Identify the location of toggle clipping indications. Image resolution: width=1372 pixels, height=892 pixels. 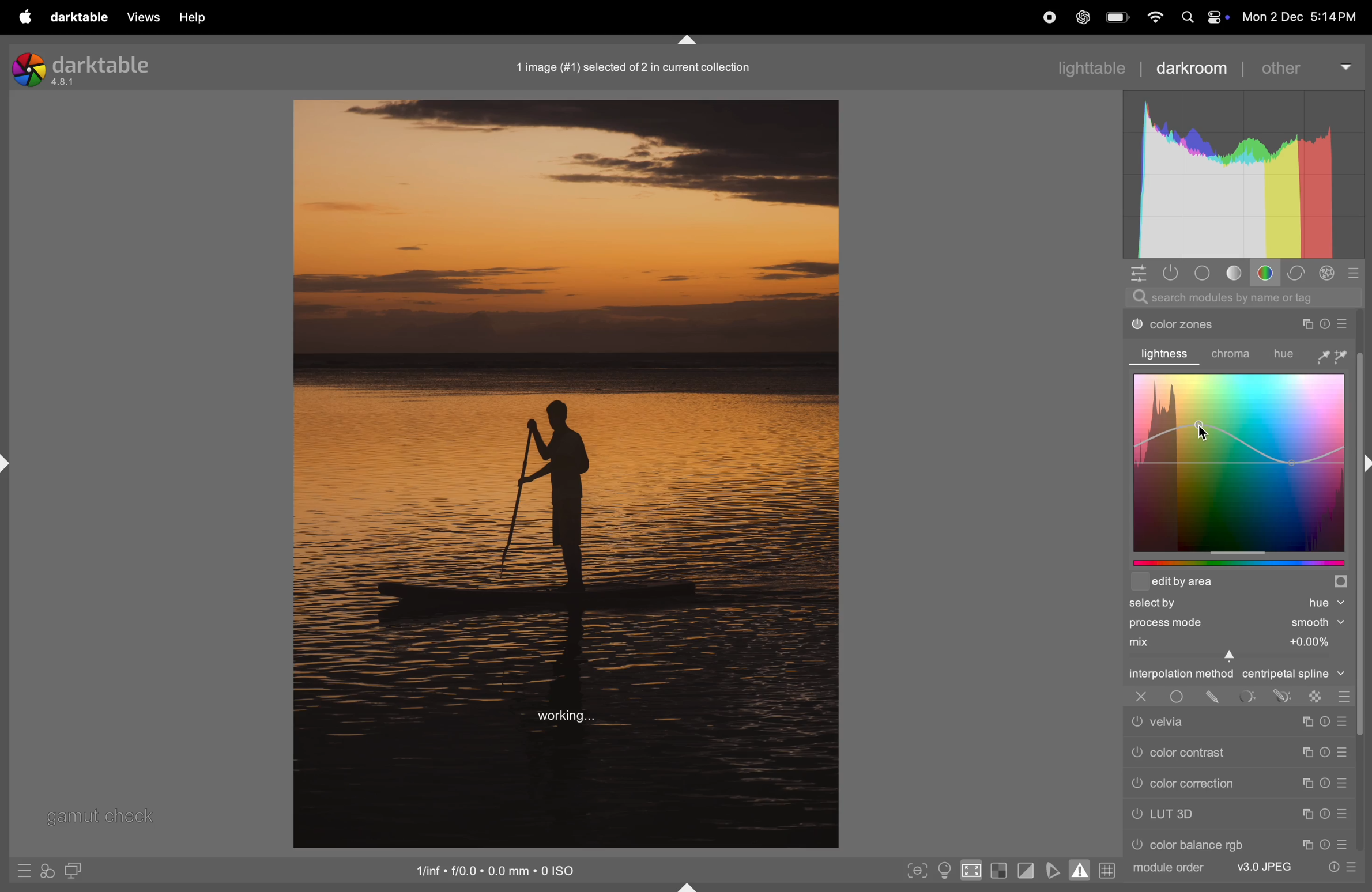
(1028, 871).